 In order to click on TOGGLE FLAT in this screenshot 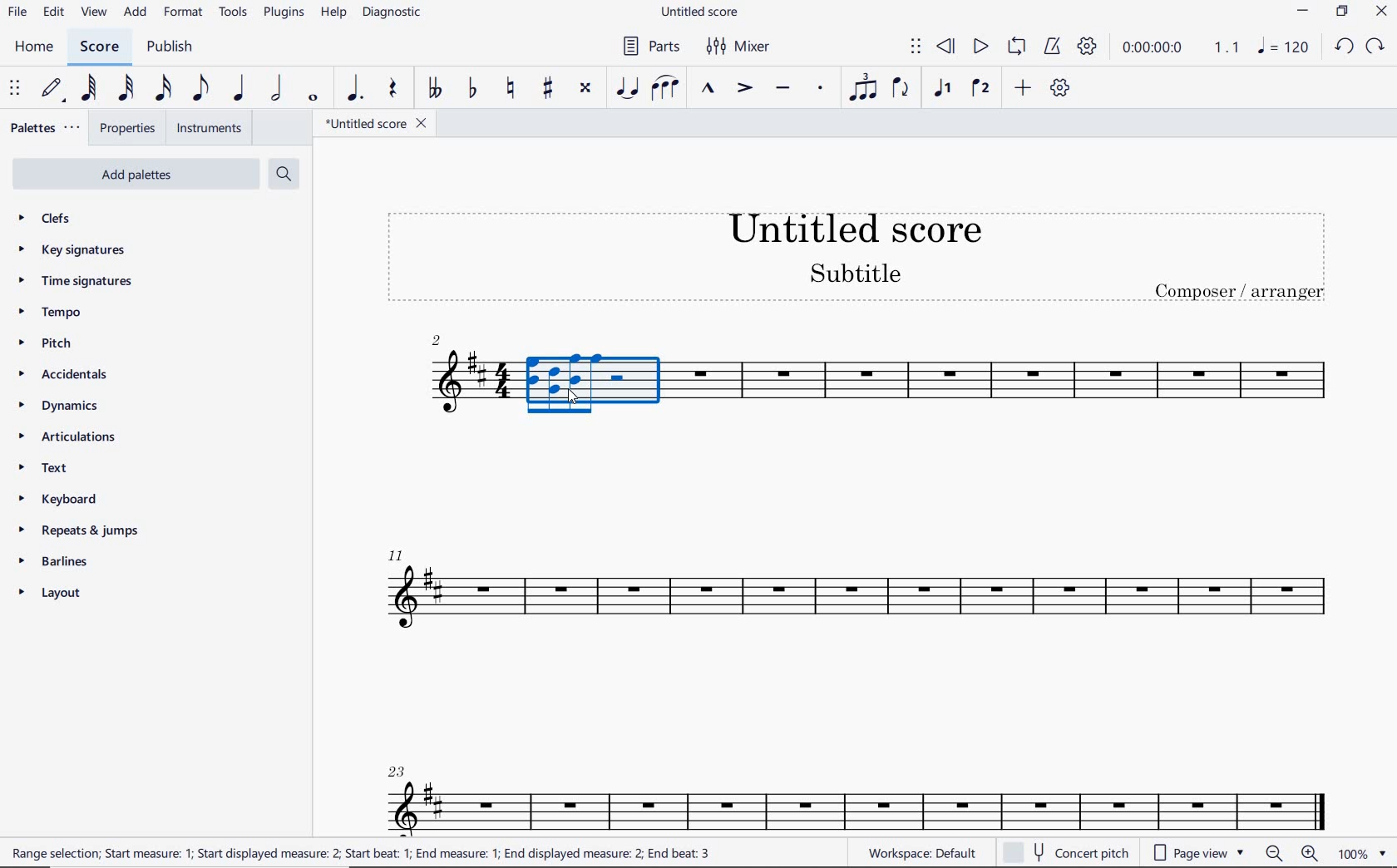, I will do `click(473, 90)`.